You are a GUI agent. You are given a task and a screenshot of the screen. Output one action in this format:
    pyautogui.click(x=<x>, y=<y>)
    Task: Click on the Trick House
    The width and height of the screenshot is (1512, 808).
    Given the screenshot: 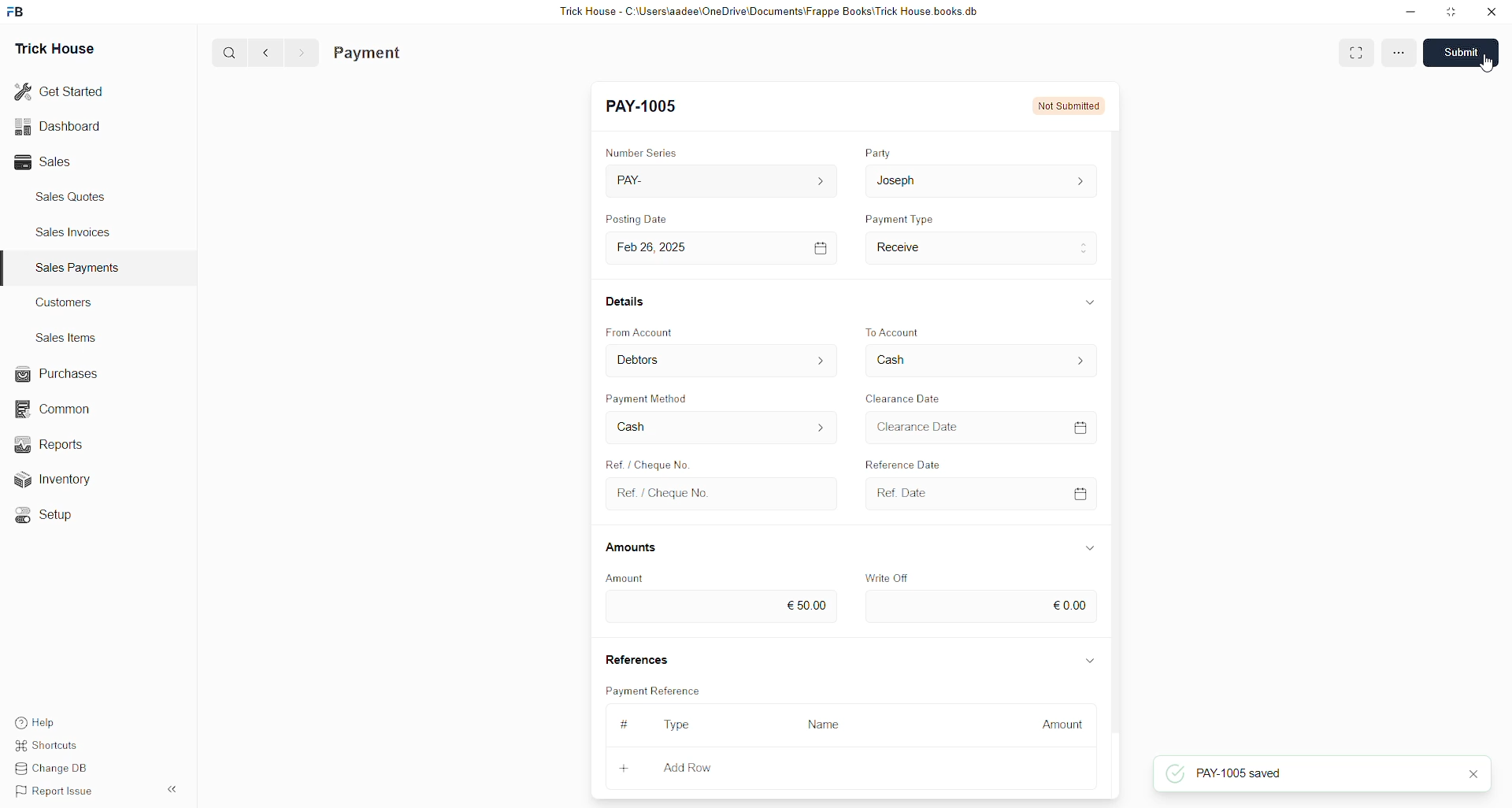 What is the action you would take?
    pyautogui.click(x=54, y=50)
    